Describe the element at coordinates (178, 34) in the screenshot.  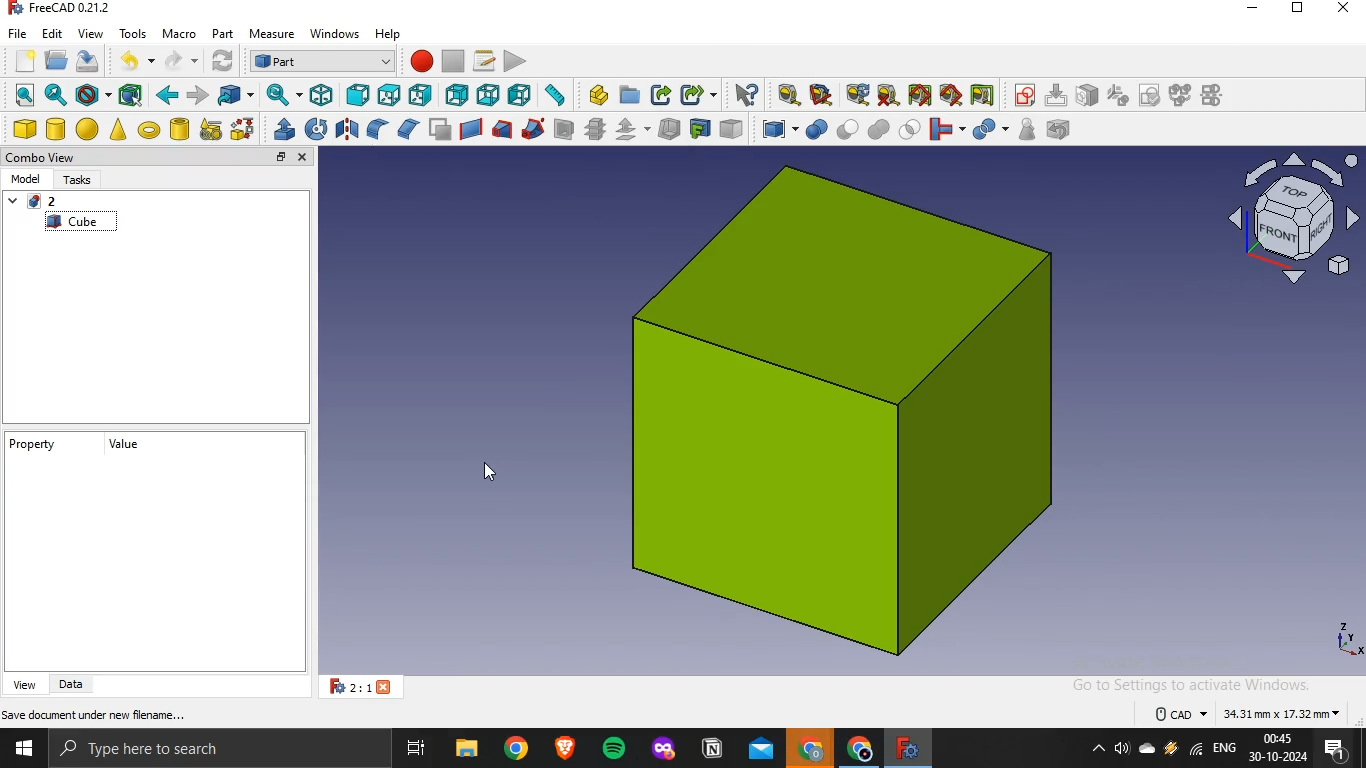
I see `macro` at that location.